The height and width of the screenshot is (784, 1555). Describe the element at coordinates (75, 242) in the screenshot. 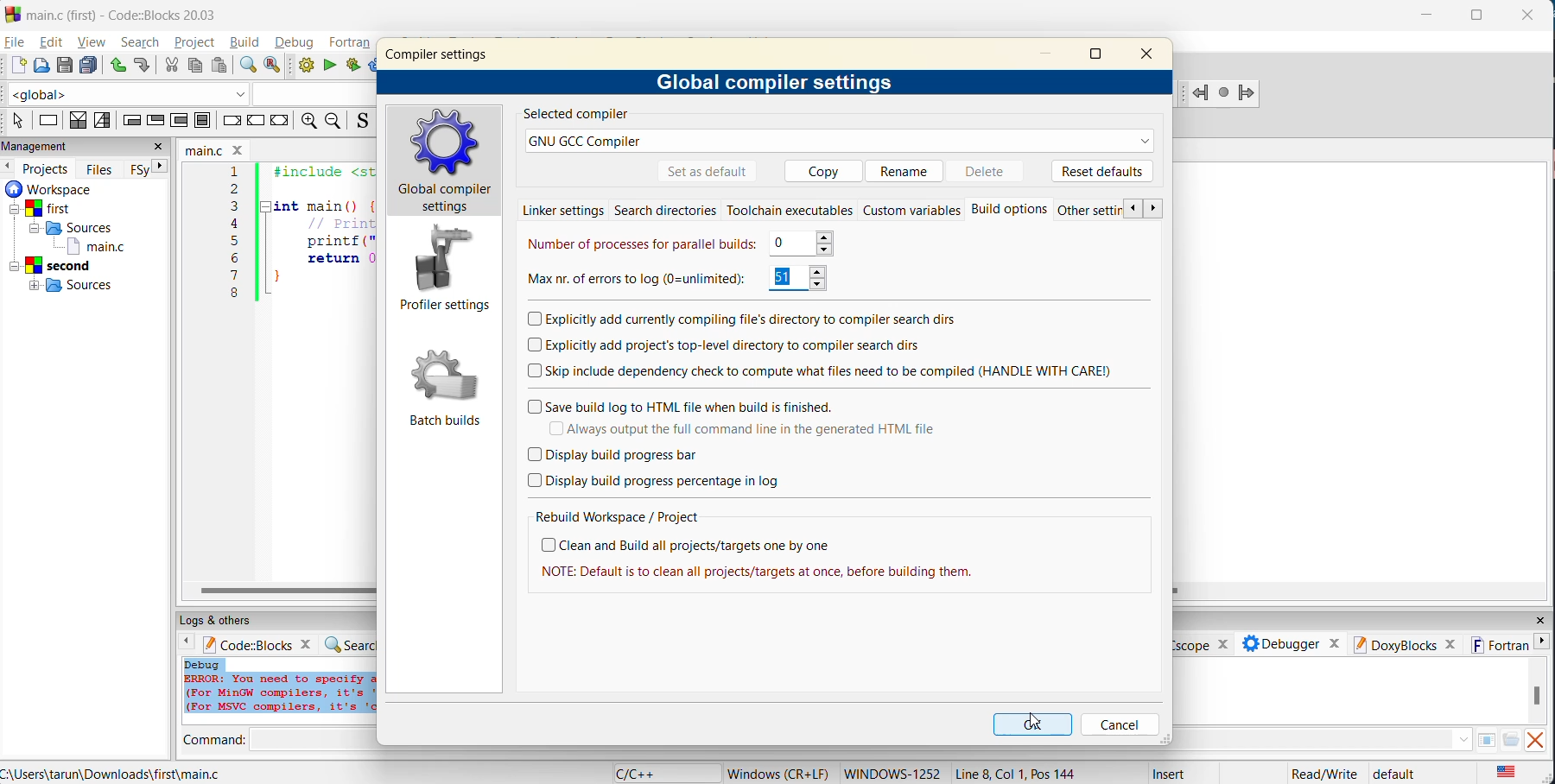

I see `workspaces` at that location.